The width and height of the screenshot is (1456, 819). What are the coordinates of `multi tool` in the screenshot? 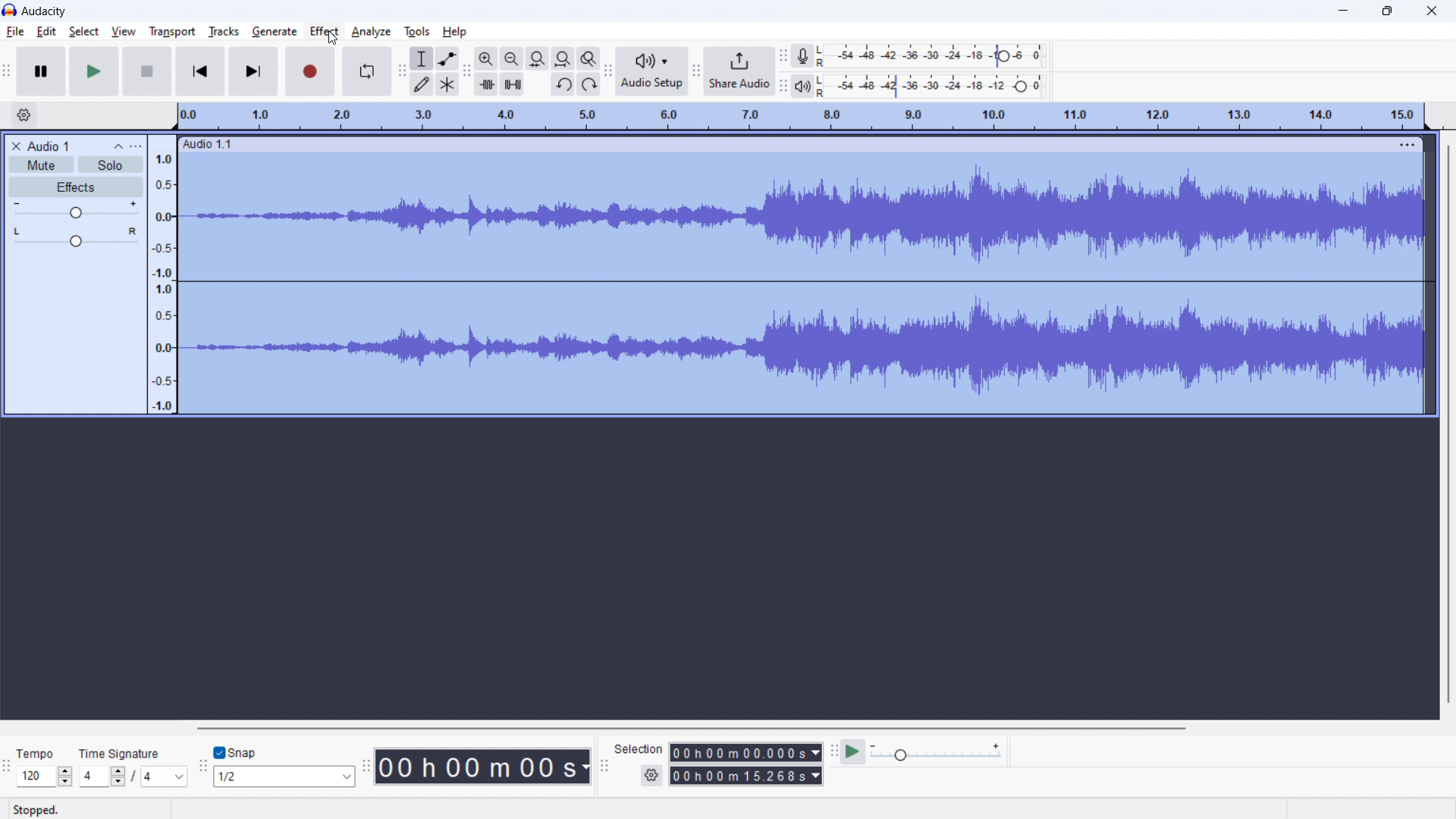 It's located at (447, 85).